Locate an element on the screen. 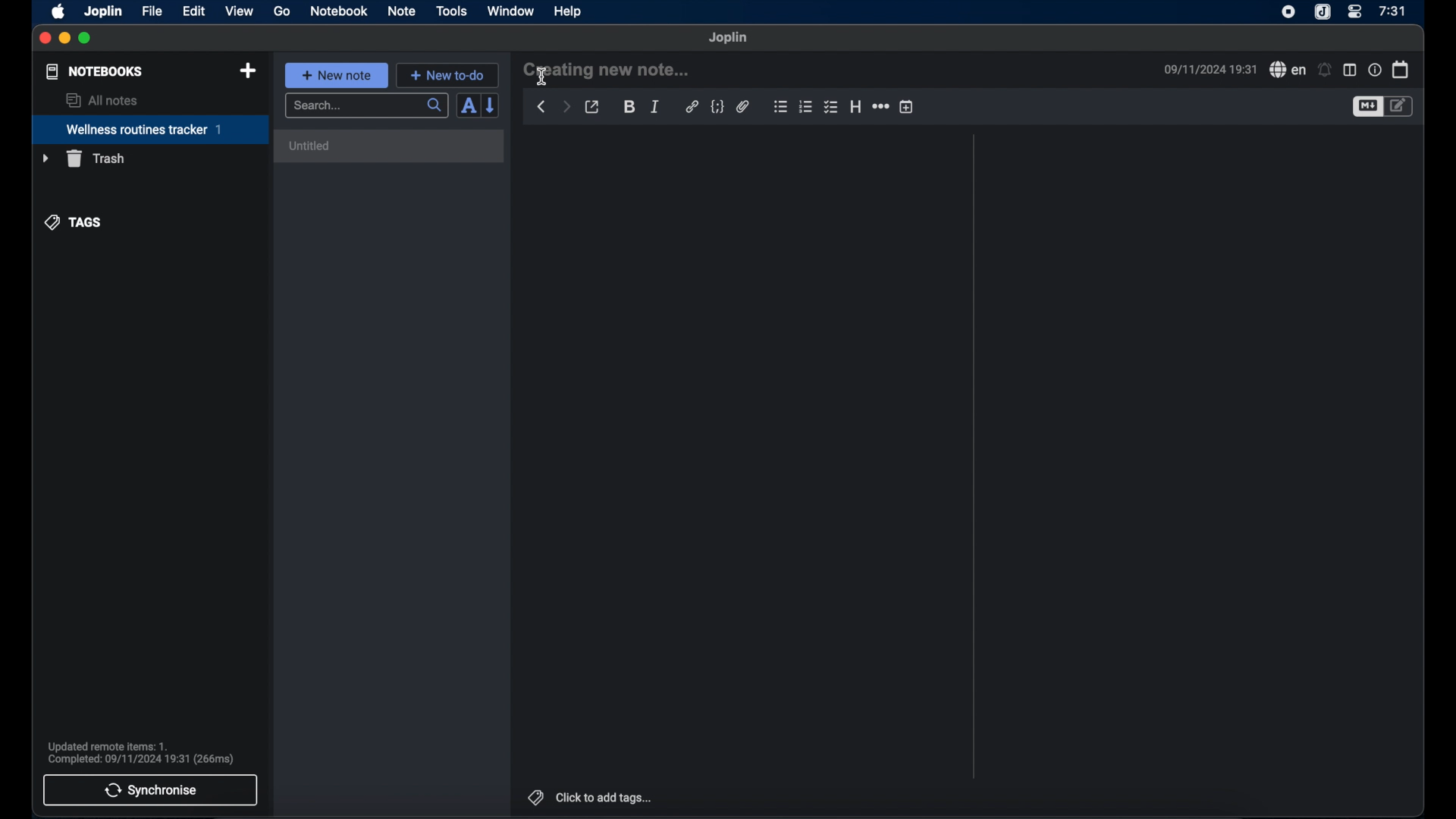 Image resolution: width=1456 pixels, height=819 pixels. spell check is located at coordinates (1285, 69).